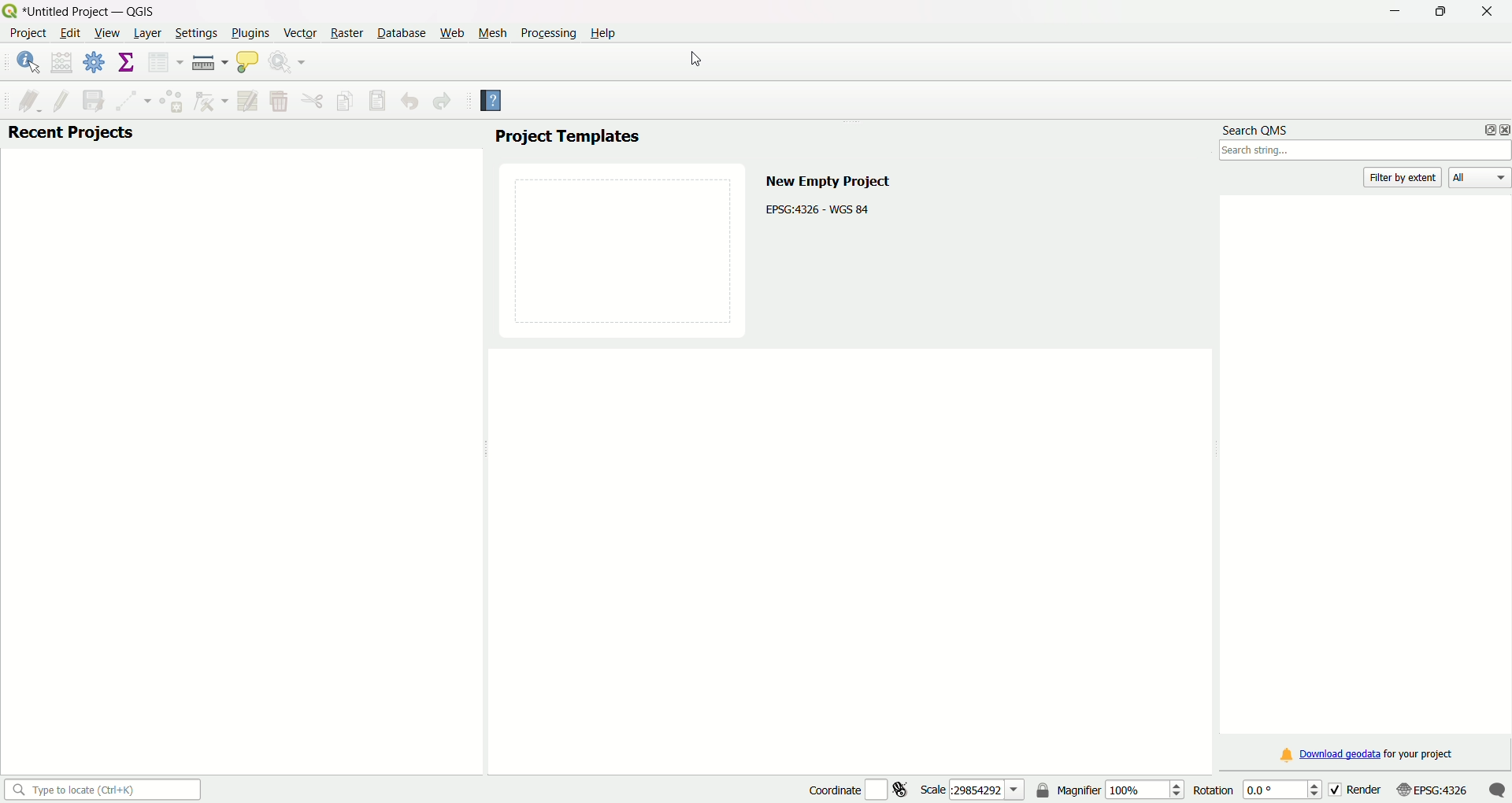 Image resolution: width=1512 pixels, height=803 pixels. Describe the element at coordinates (71, 134) in the screenshot. I see `recent projects` at that location.